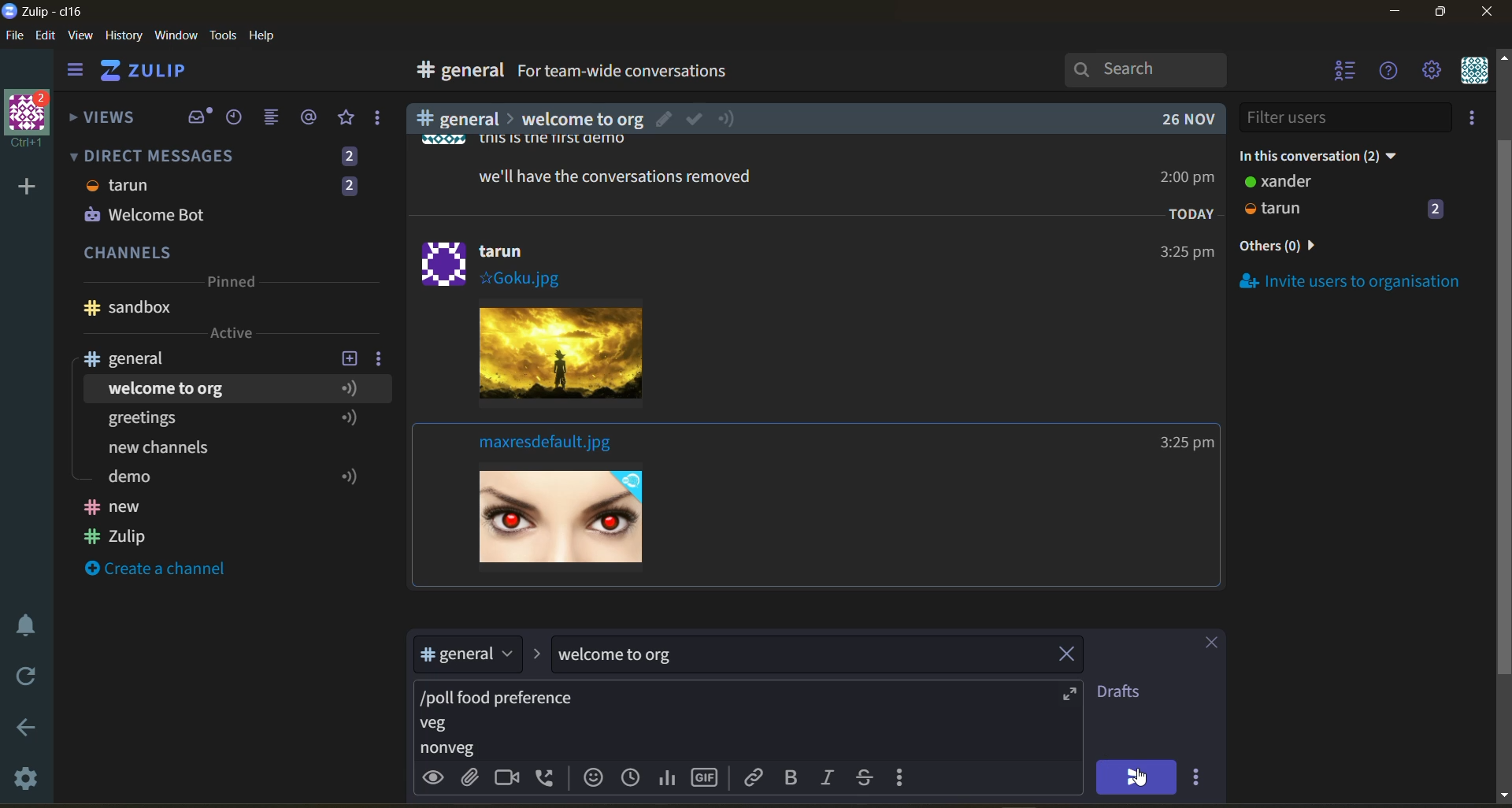 This screenshot has width=1512, height=808. I want to click on Channel names, so click(118, 524).